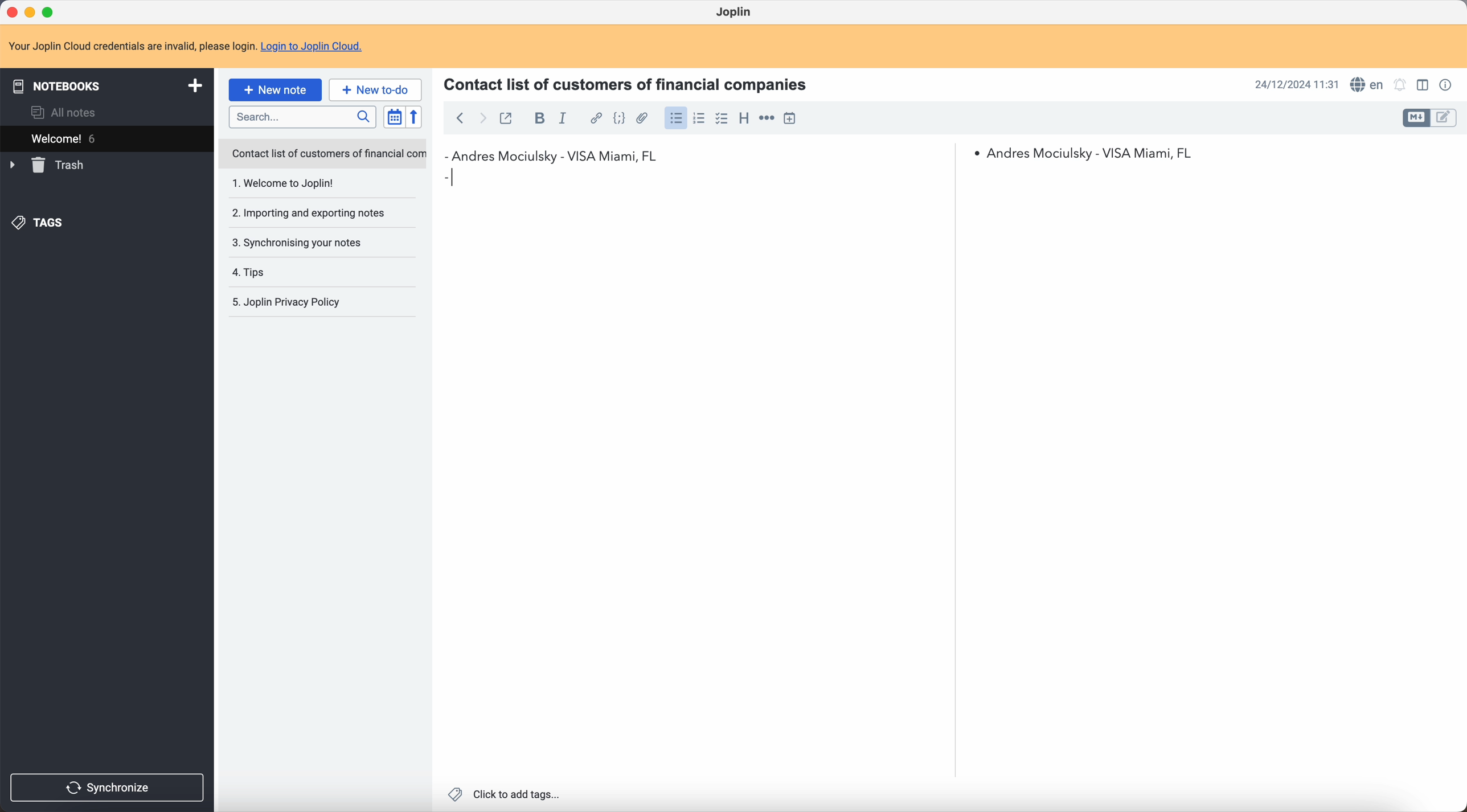 This screenshot has width=1467, height=812. Describe the element at coordinates (700, 118) in the screenshot. I see `numbered list` at that location.